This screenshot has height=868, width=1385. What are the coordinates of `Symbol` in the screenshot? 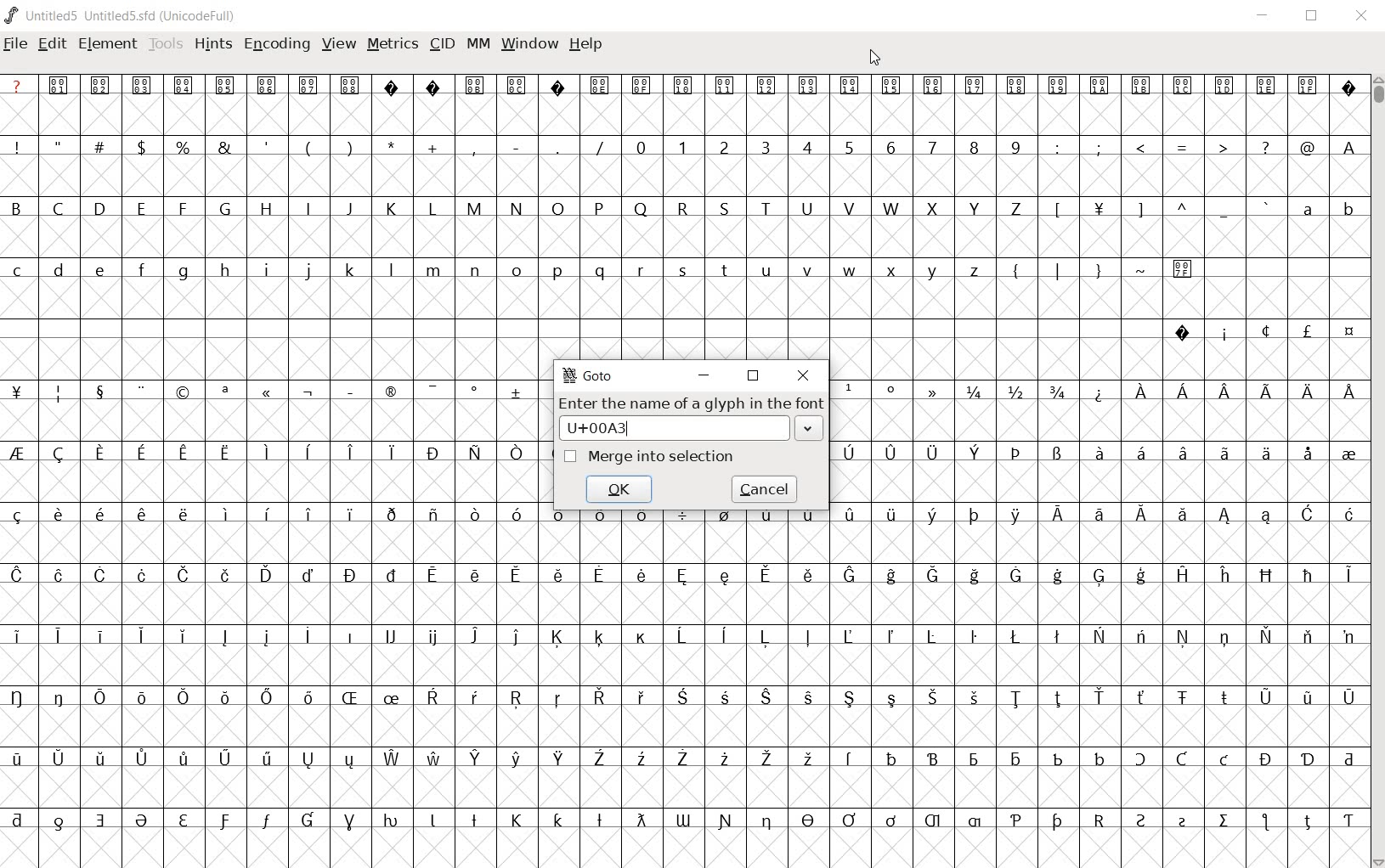 It's located at (1060, 86).